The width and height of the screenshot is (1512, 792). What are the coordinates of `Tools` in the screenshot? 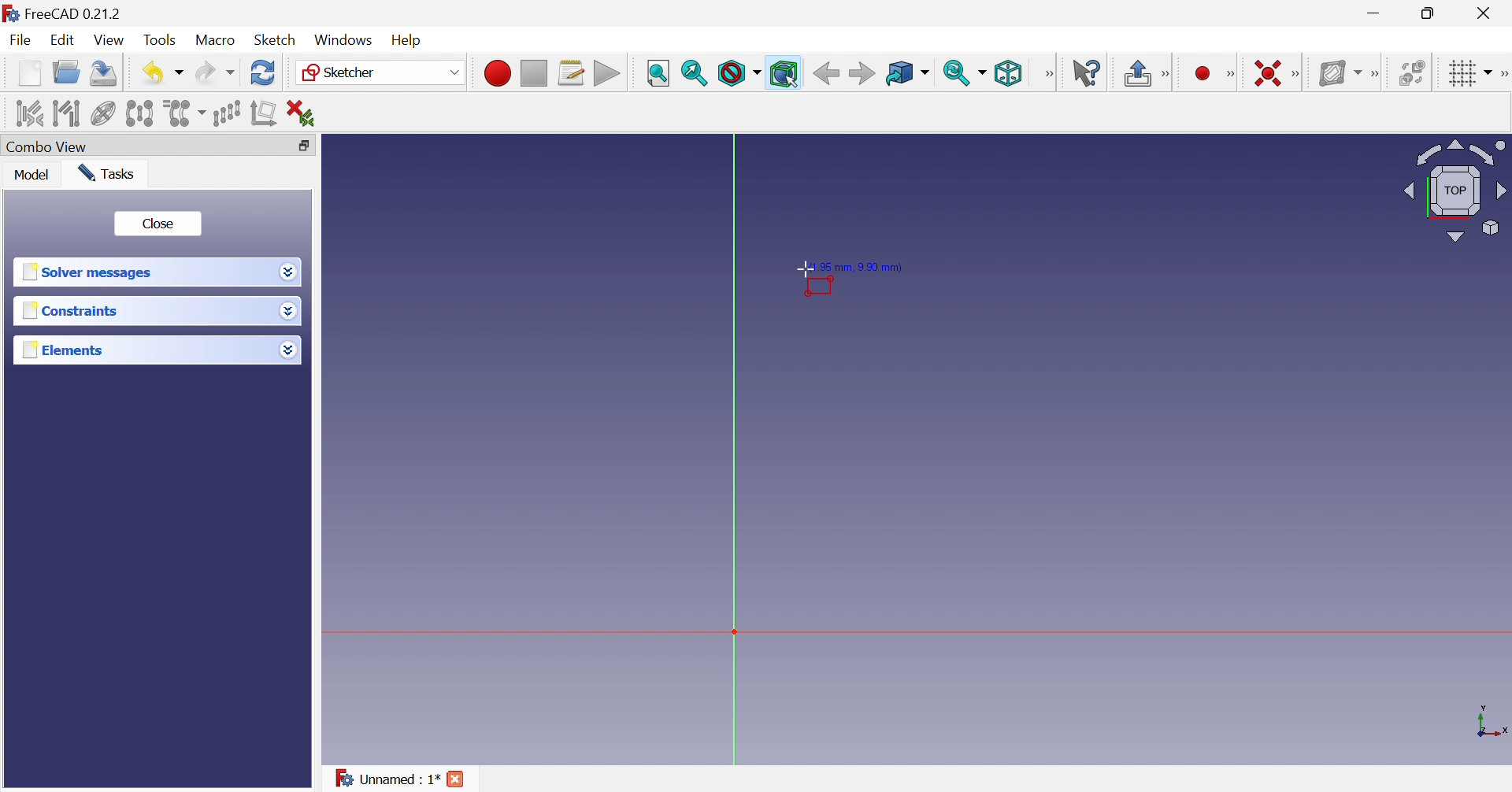 It's located at (159, 41).